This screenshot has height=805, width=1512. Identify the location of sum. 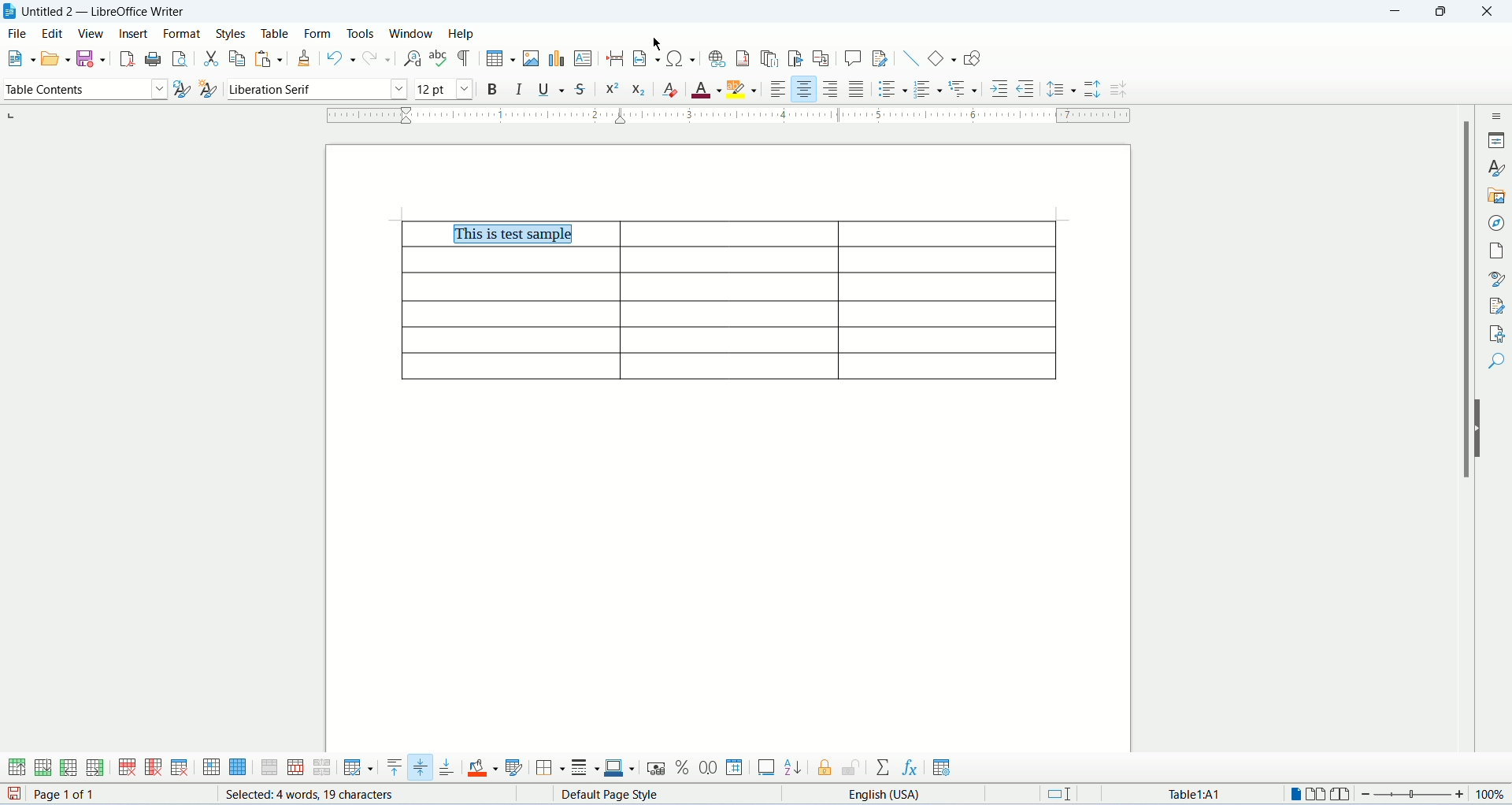
(884, 767).